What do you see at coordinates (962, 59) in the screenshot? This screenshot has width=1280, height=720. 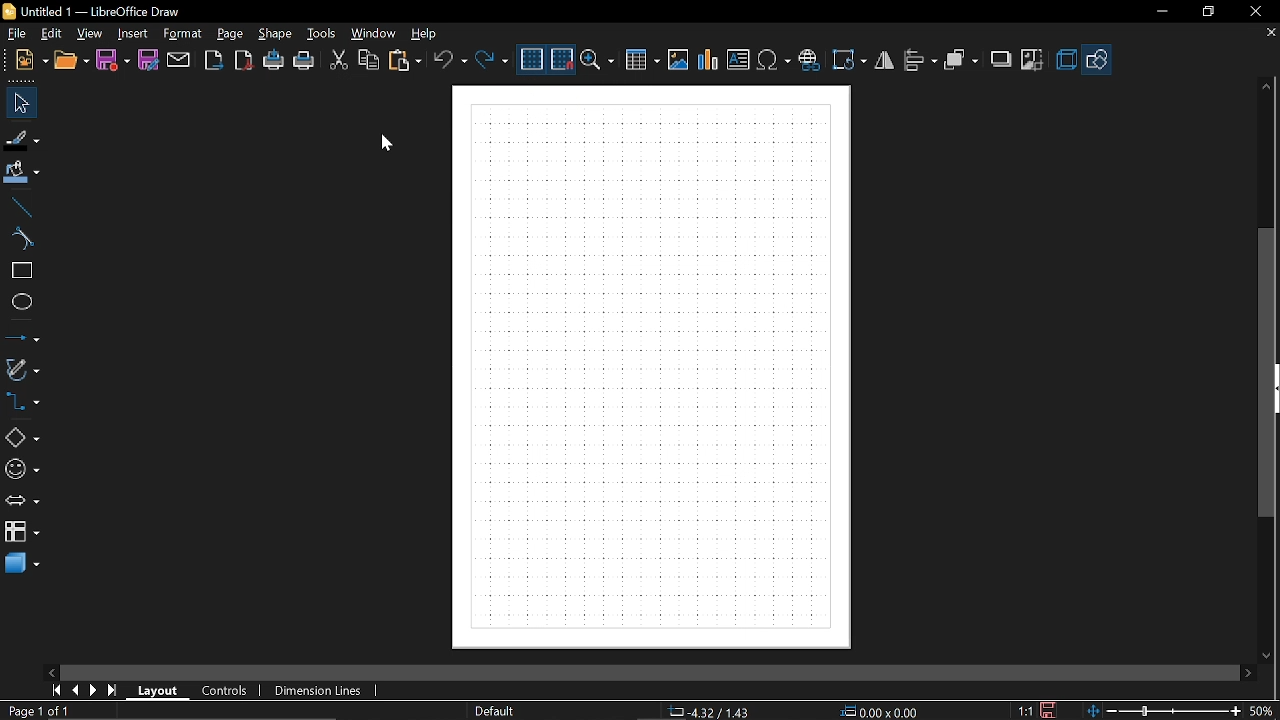 I see `arrange` at bounding box center [962, 59].